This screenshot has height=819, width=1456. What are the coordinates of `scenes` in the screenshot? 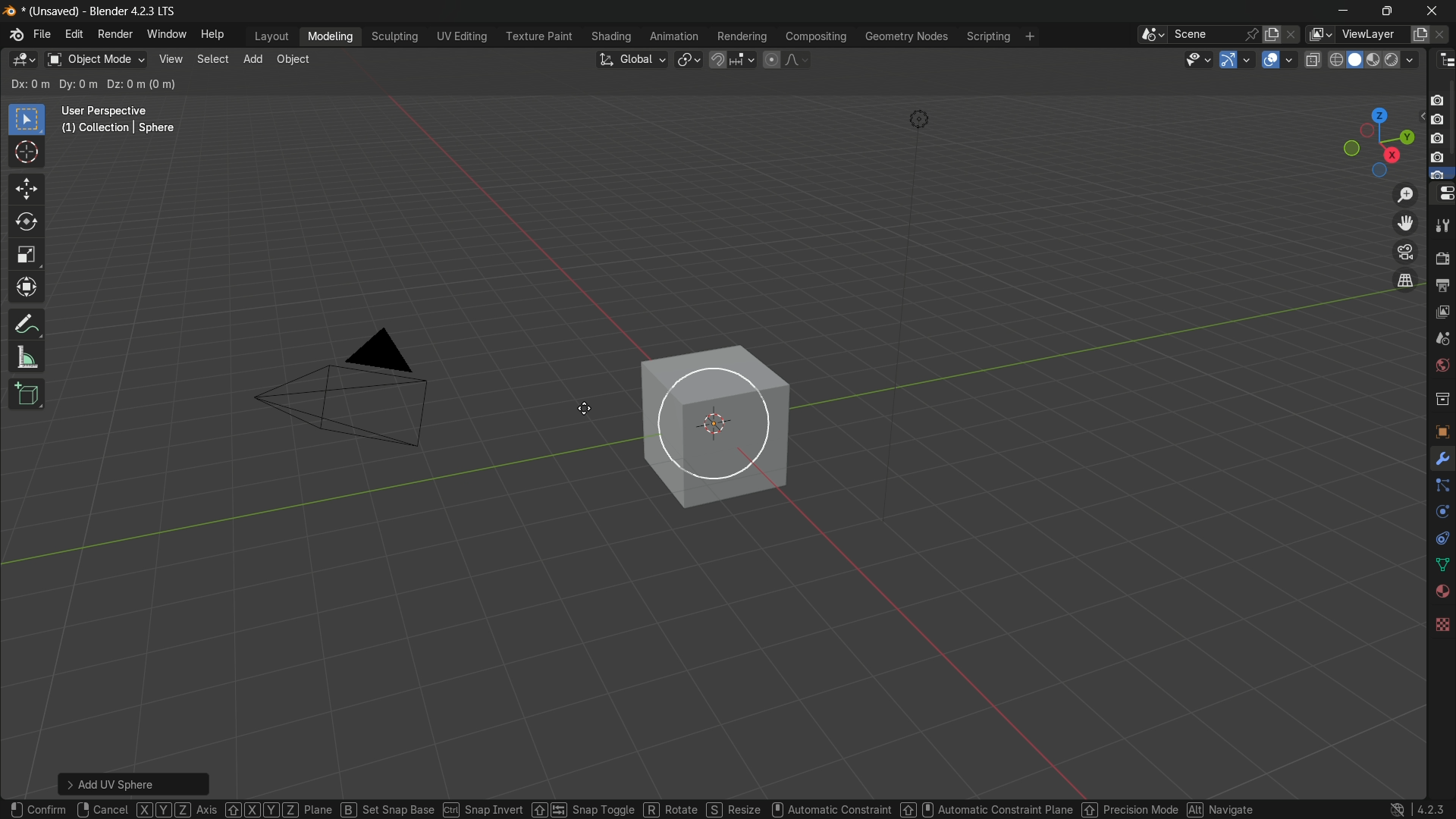 It's located at (1442, 337).